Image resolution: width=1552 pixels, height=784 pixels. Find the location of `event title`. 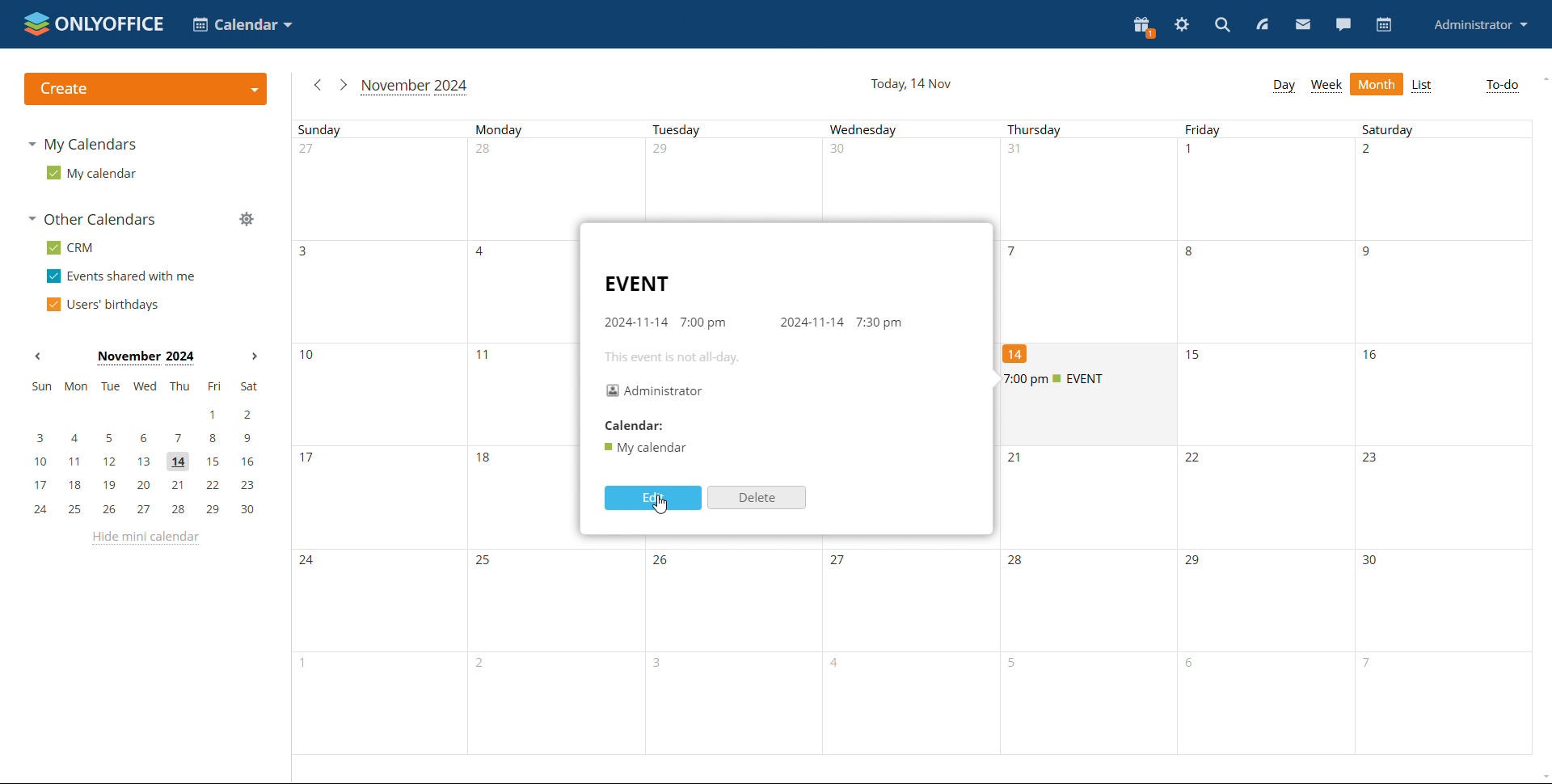

event title is located at coordinates (639, 283).